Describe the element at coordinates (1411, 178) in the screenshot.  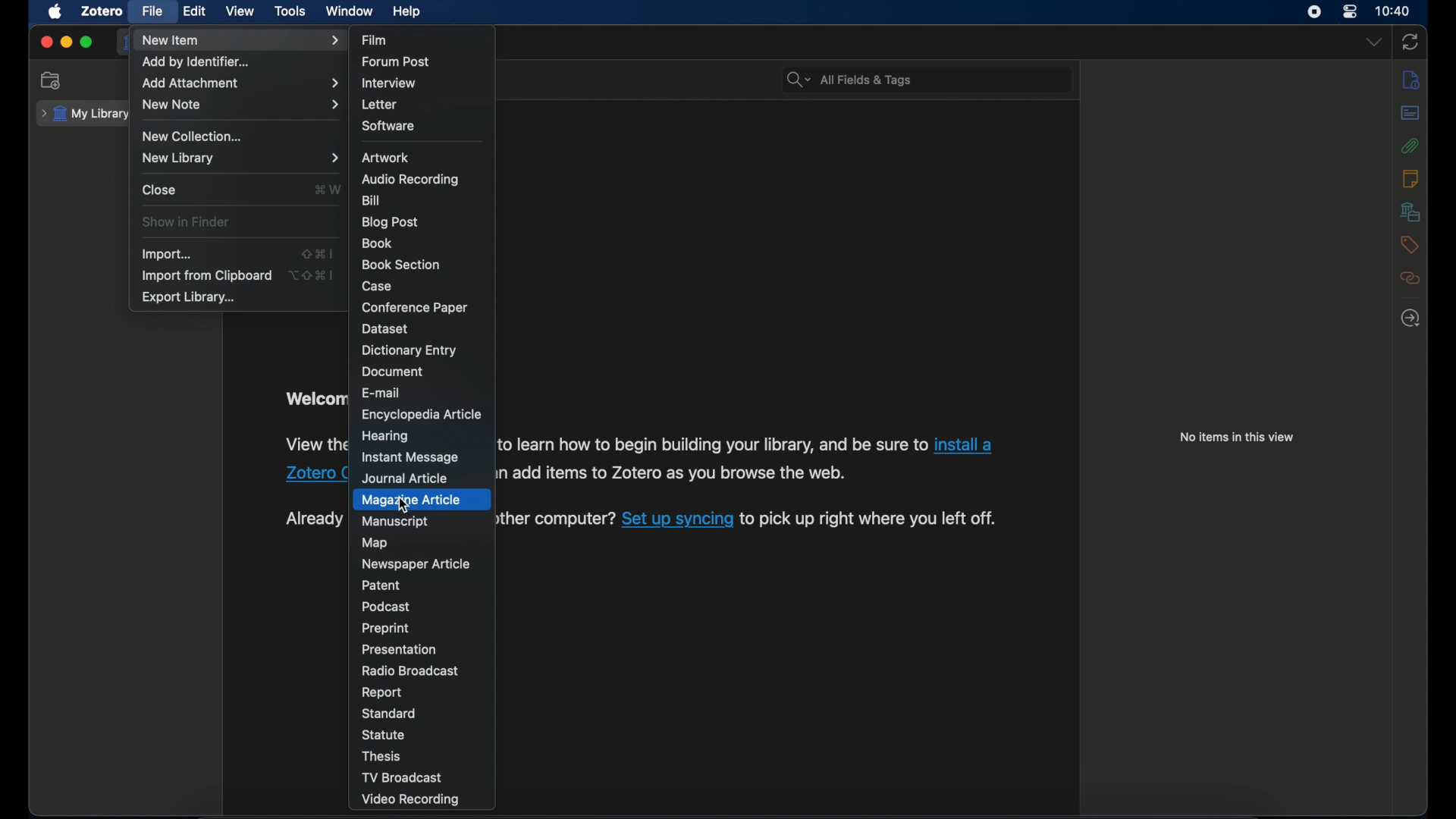
I see `notes` at that location.